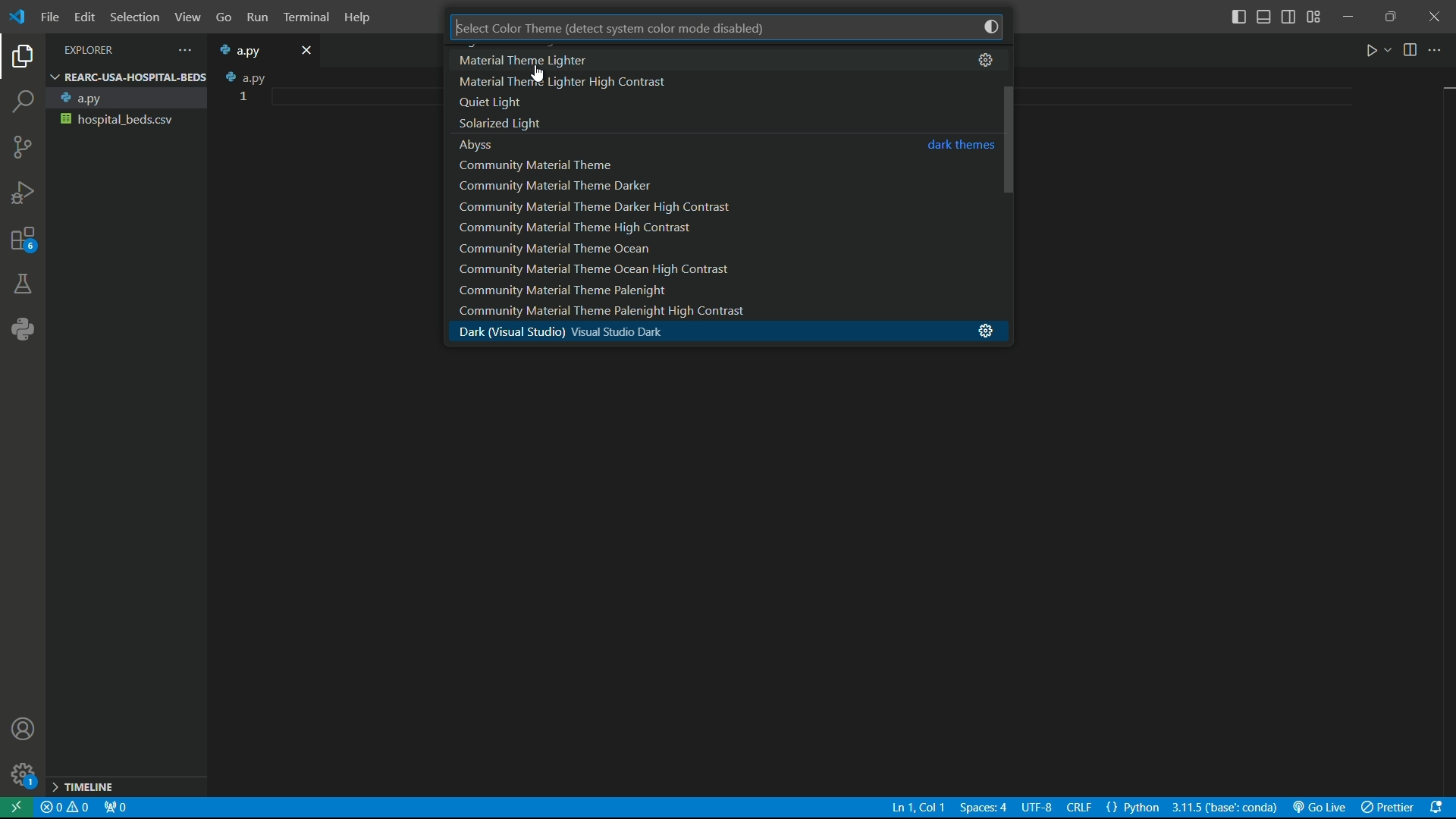  What do you see at coordinates (184, 17) in the screenshot?
I see `view menu` at bounding box center [184, 17].